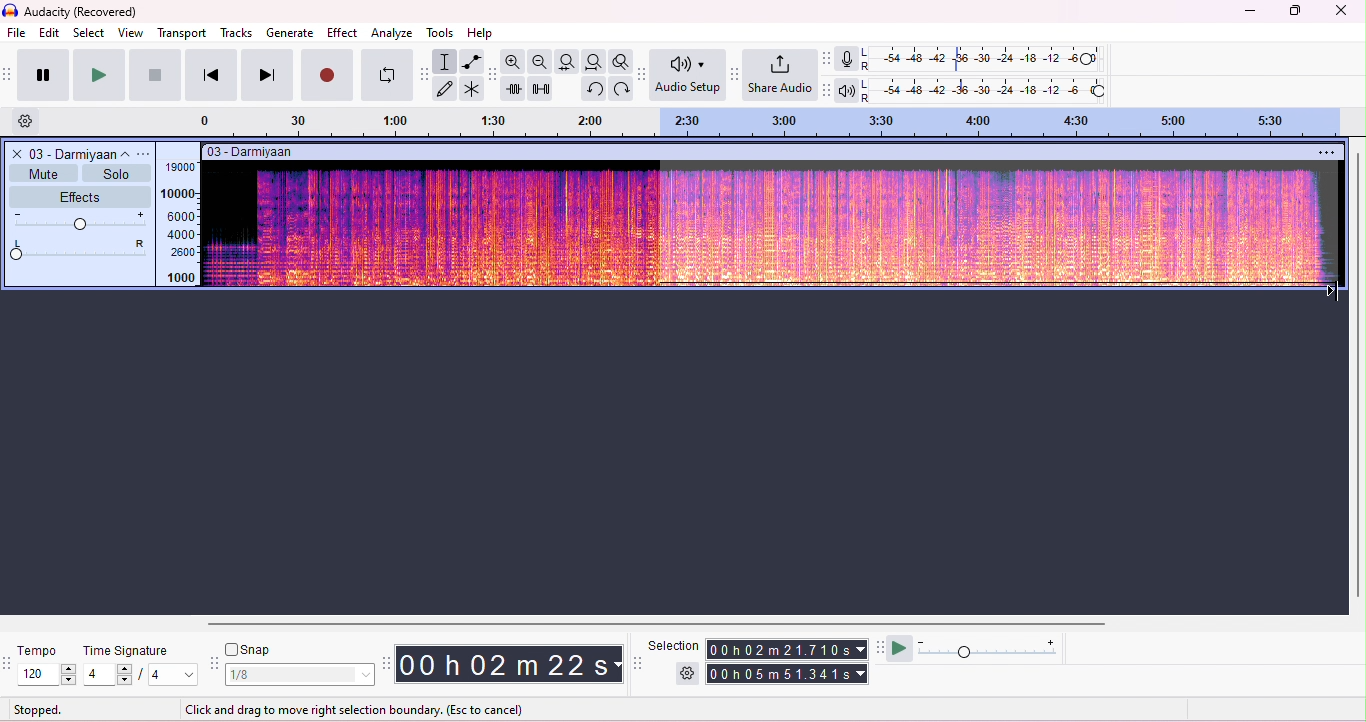 The width and height of the screenshot is (1366, 722). I want to click on snap, so click(250, 651).